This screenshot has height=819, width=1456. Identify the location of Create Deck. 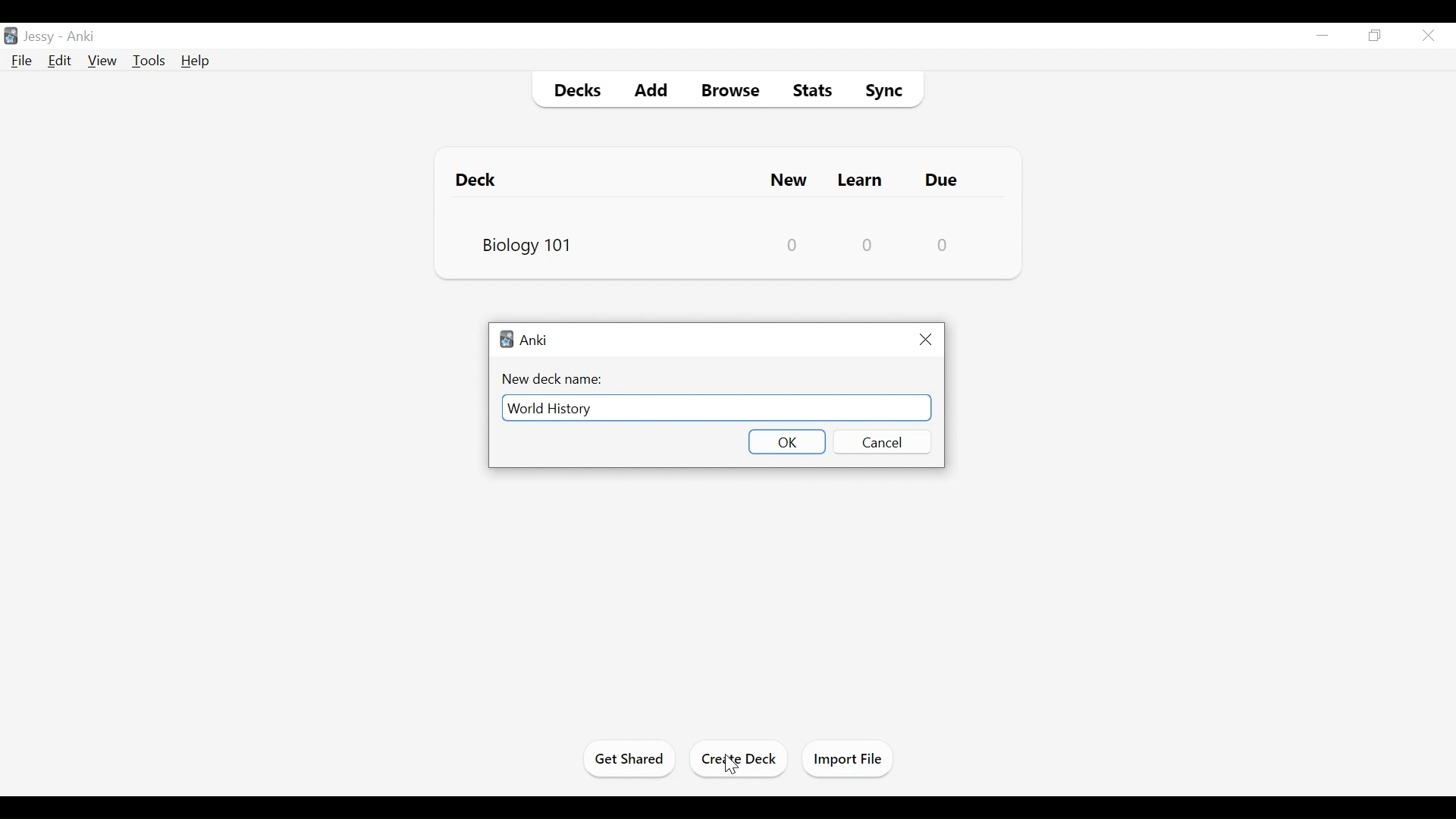
(741, 759).